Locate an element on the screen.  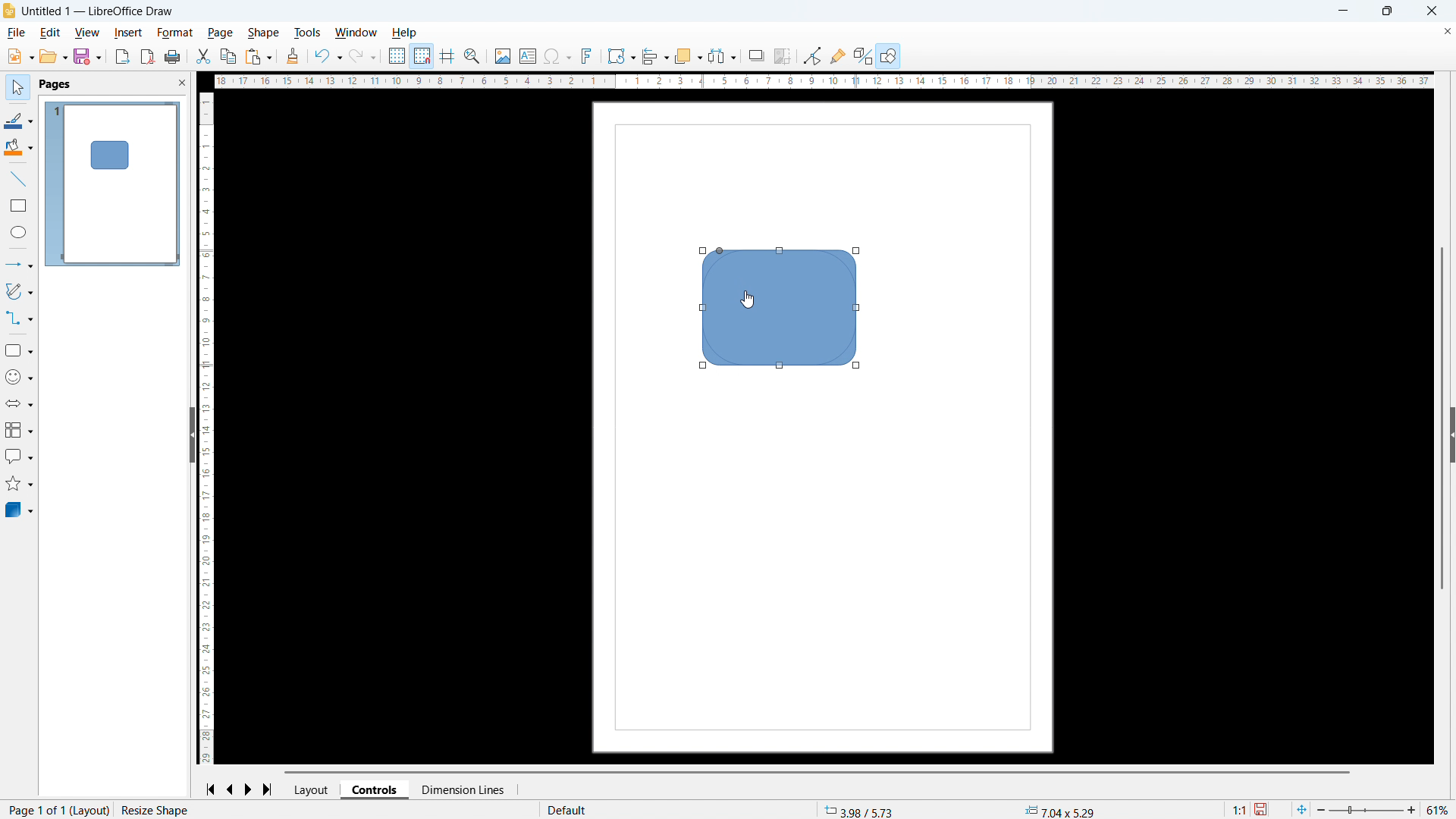
Select at least three objects to distribute  is located at coordinates (722, 56).